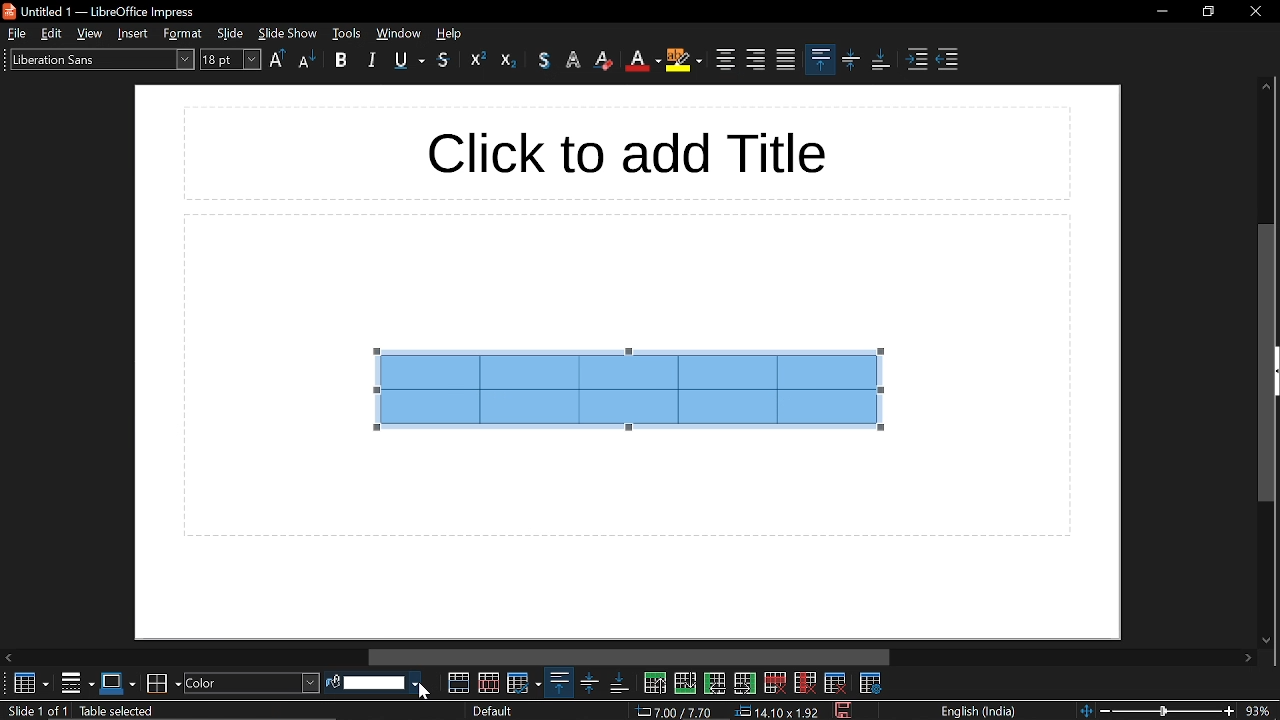 This screenshot has height=720, width=1280. I want to click on strikethrough, so click(445, 63).